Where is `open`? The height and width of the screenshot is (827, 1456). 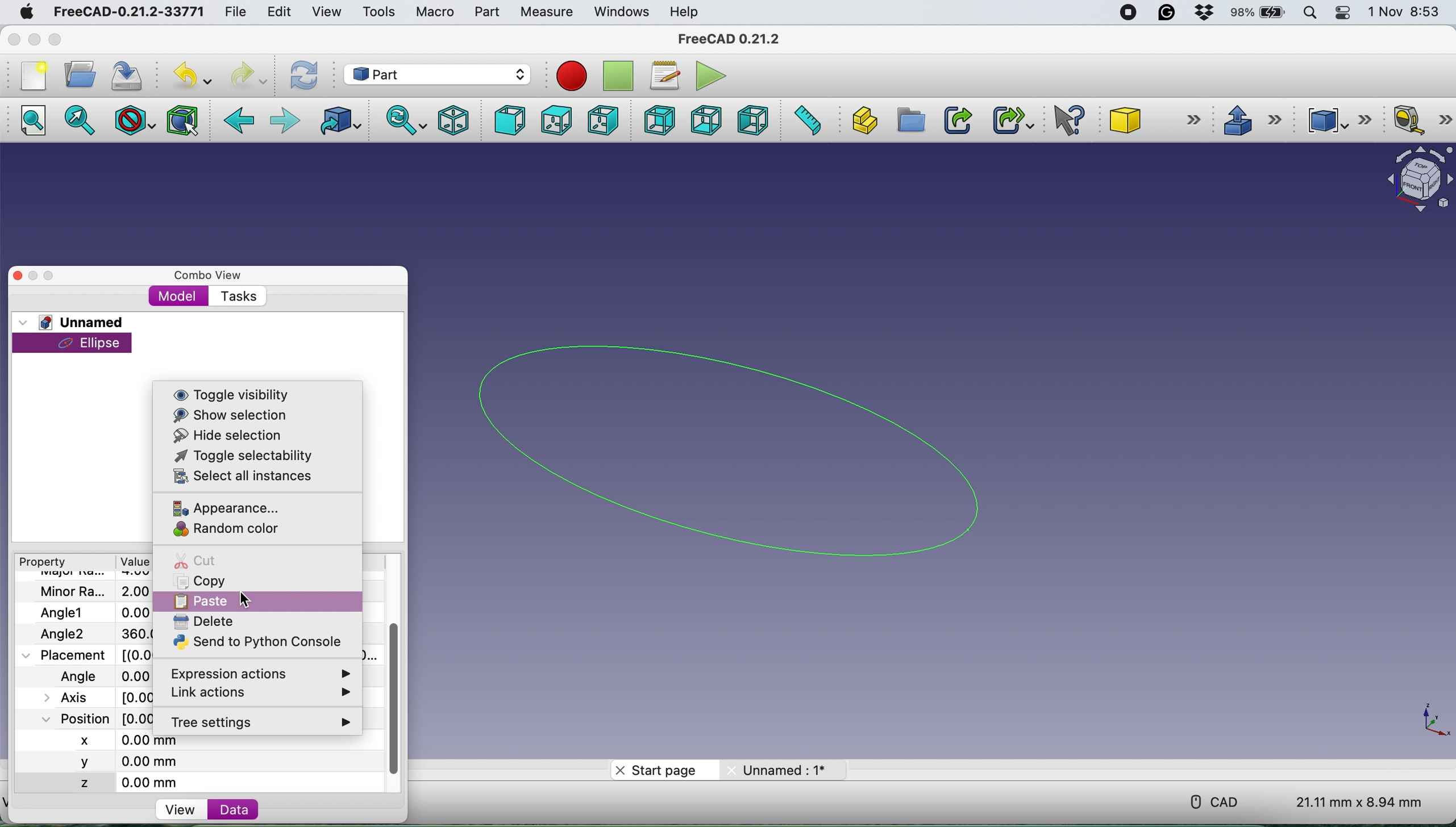 open is located at coordinates (80, 74).